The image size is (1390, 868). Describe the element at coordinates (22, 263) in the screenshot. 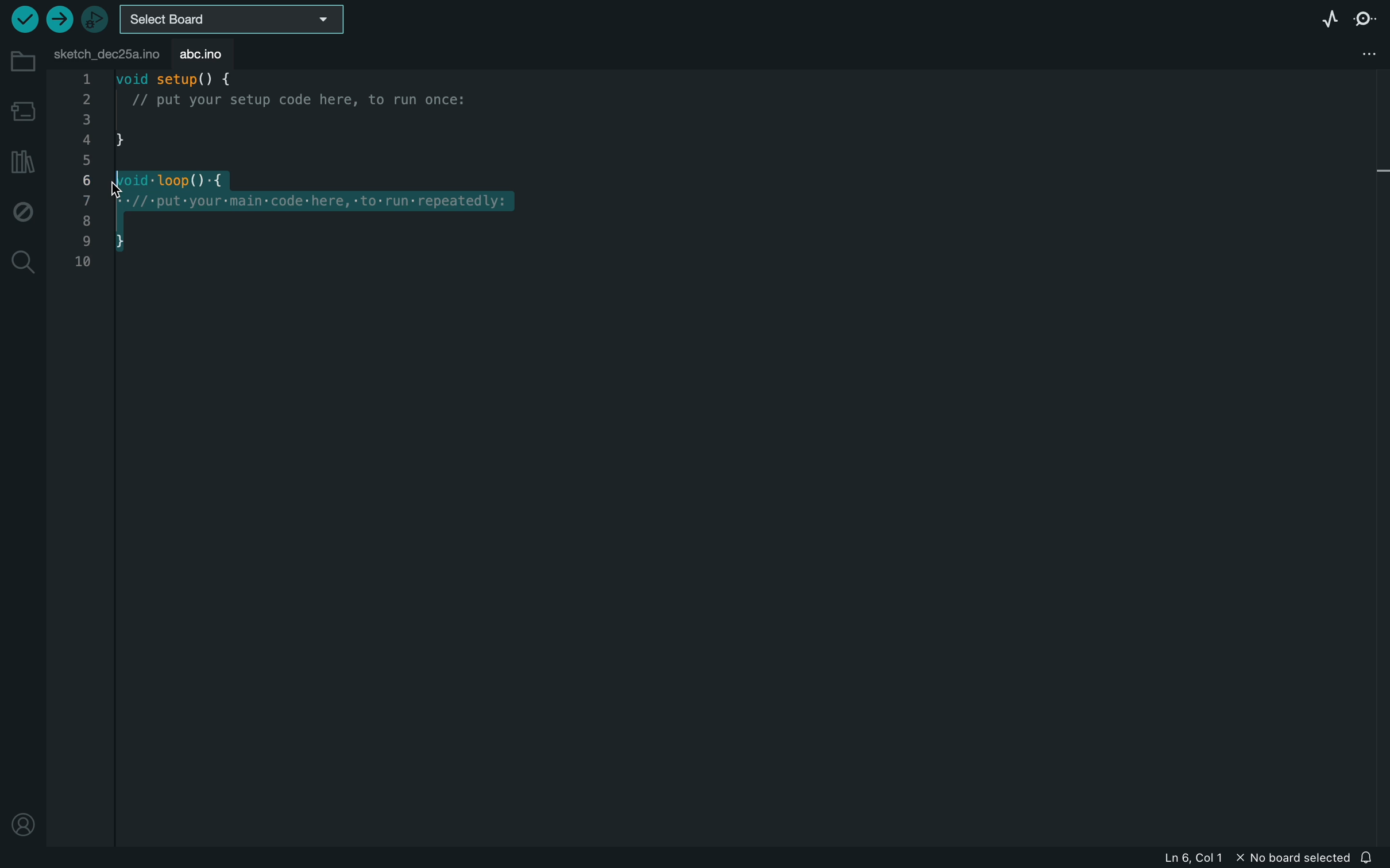

I see `search` at that location.